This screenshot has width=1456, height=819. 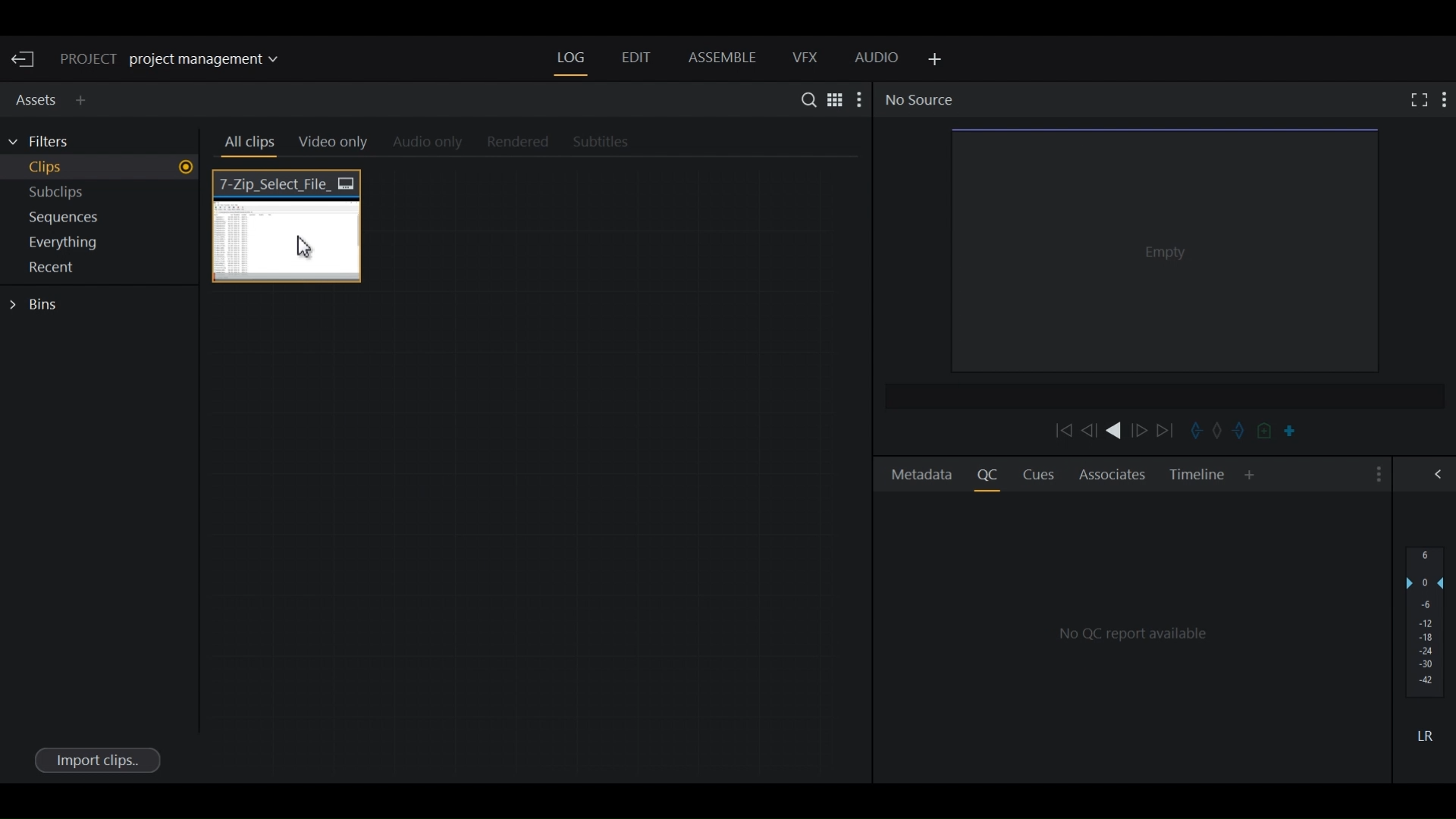 I want to click on Audio Only, so click(x=432, y=143).